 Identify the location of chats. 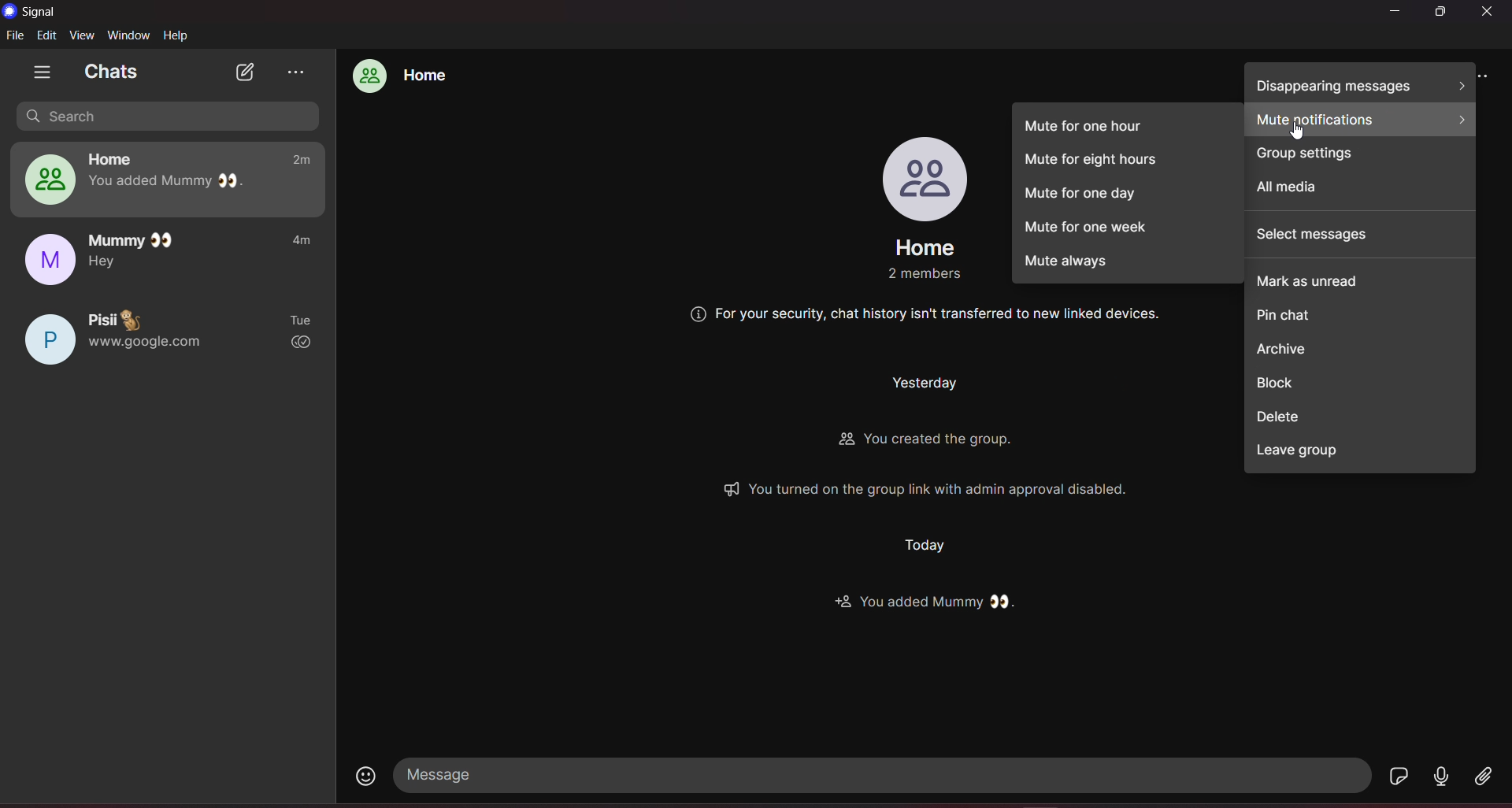
(117, 72).